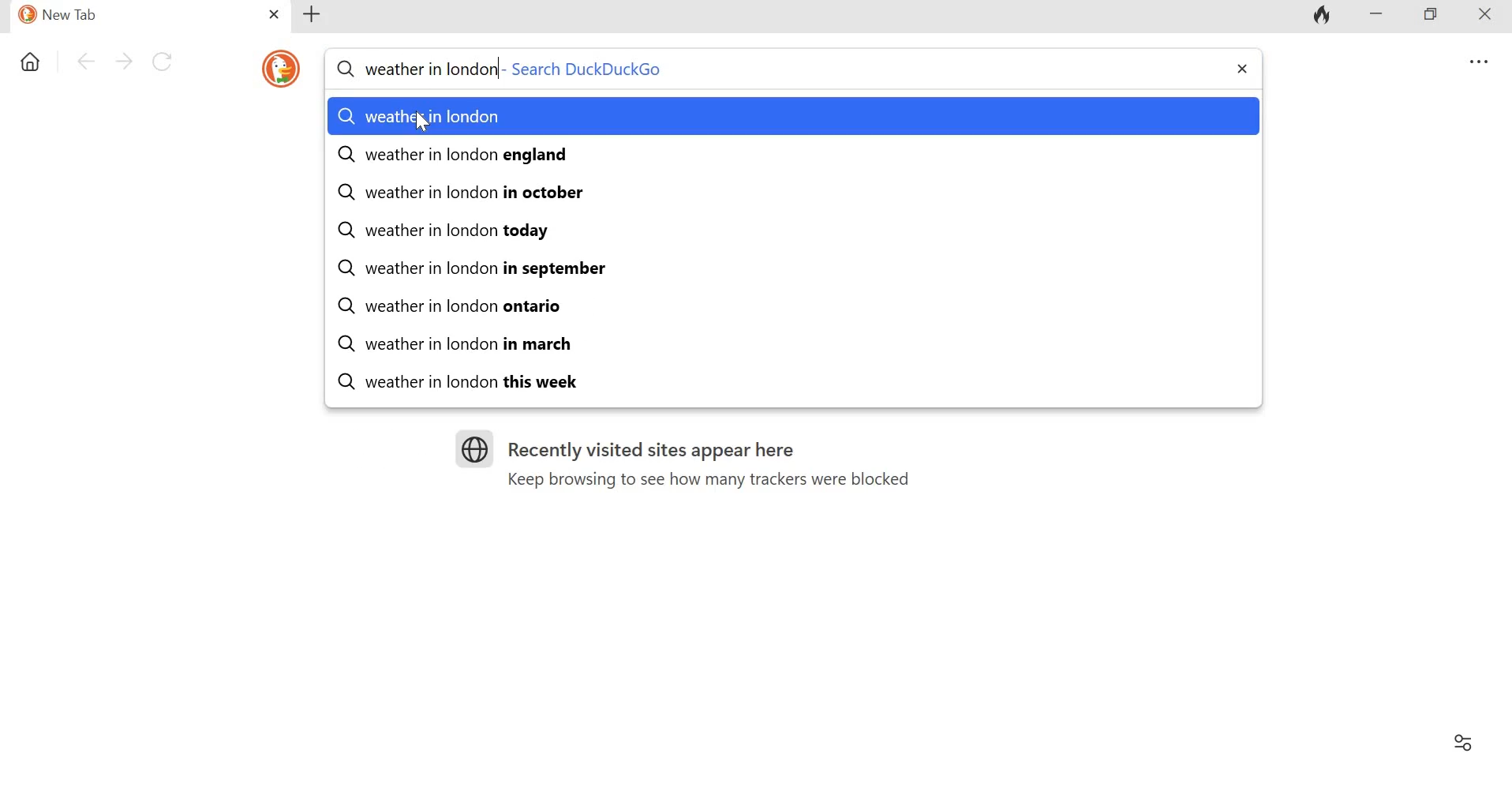 Image resolution: width=1512 pixels, height=791 pixels. I want to click on Logo for sites visited, so click(474, 449).